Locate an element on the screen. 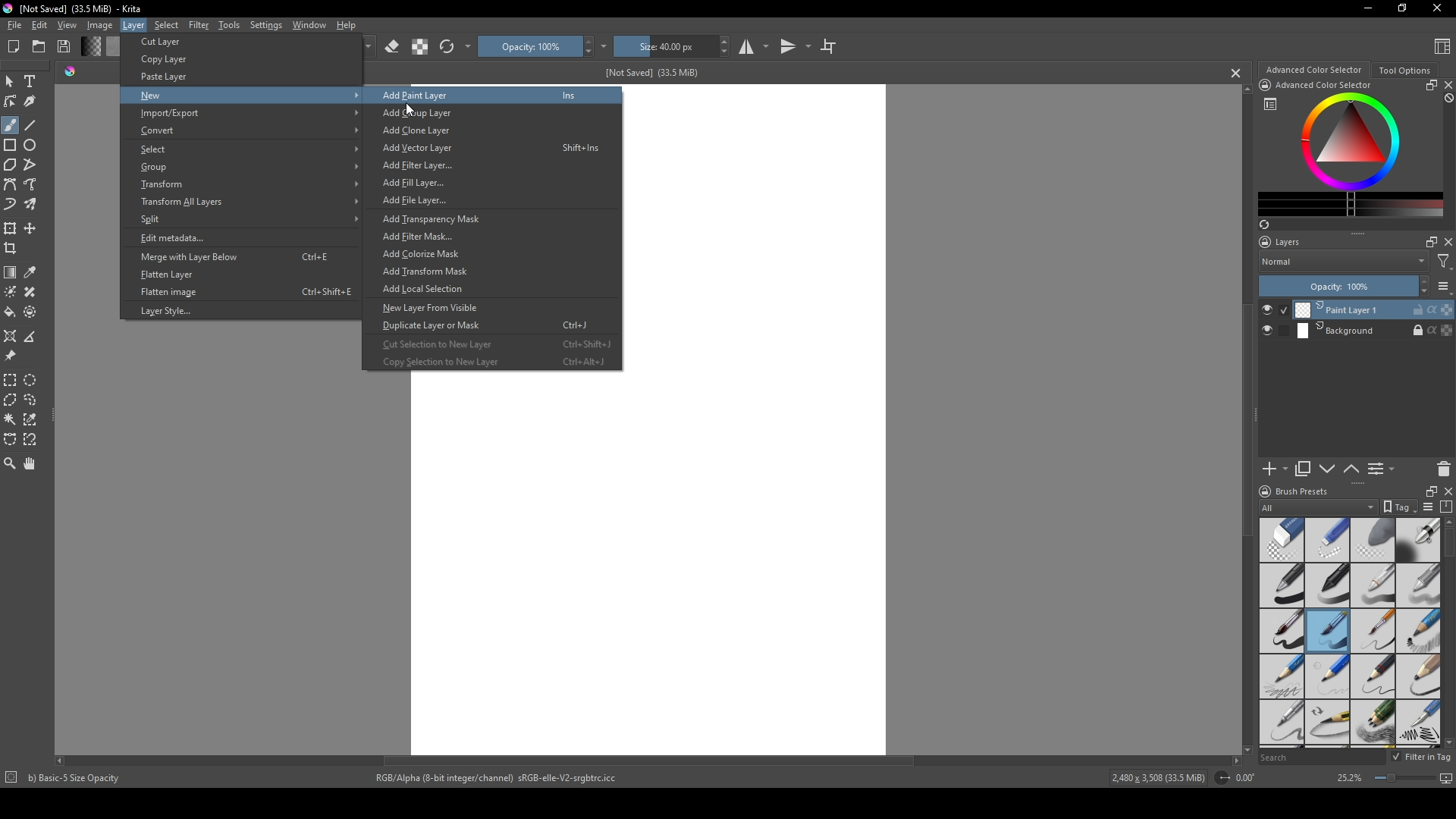  Add Transparency Mask is located at coordinates (434, 220).